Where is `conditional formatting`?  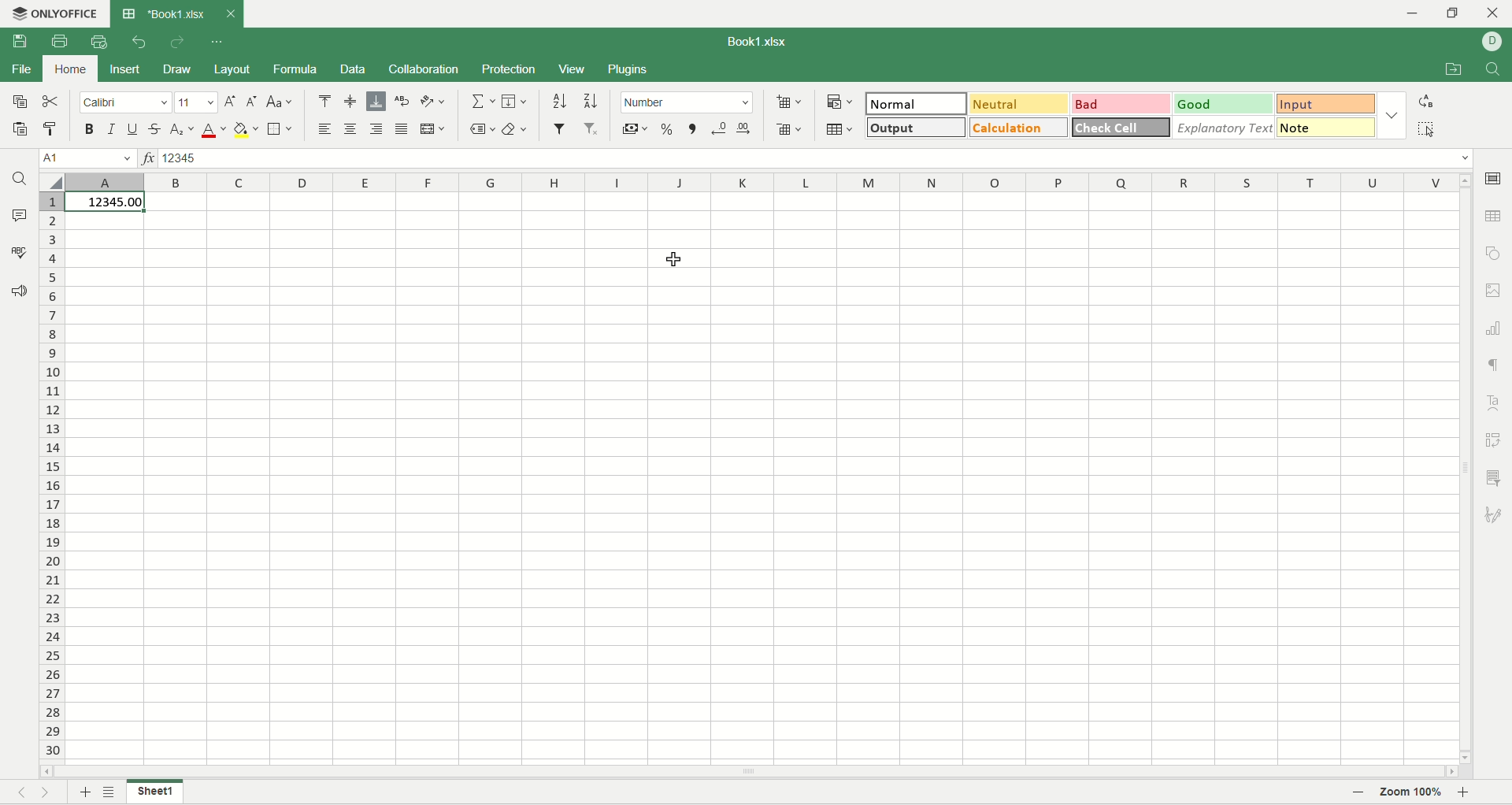
conditional formatting is located at coordinates (839, 100).